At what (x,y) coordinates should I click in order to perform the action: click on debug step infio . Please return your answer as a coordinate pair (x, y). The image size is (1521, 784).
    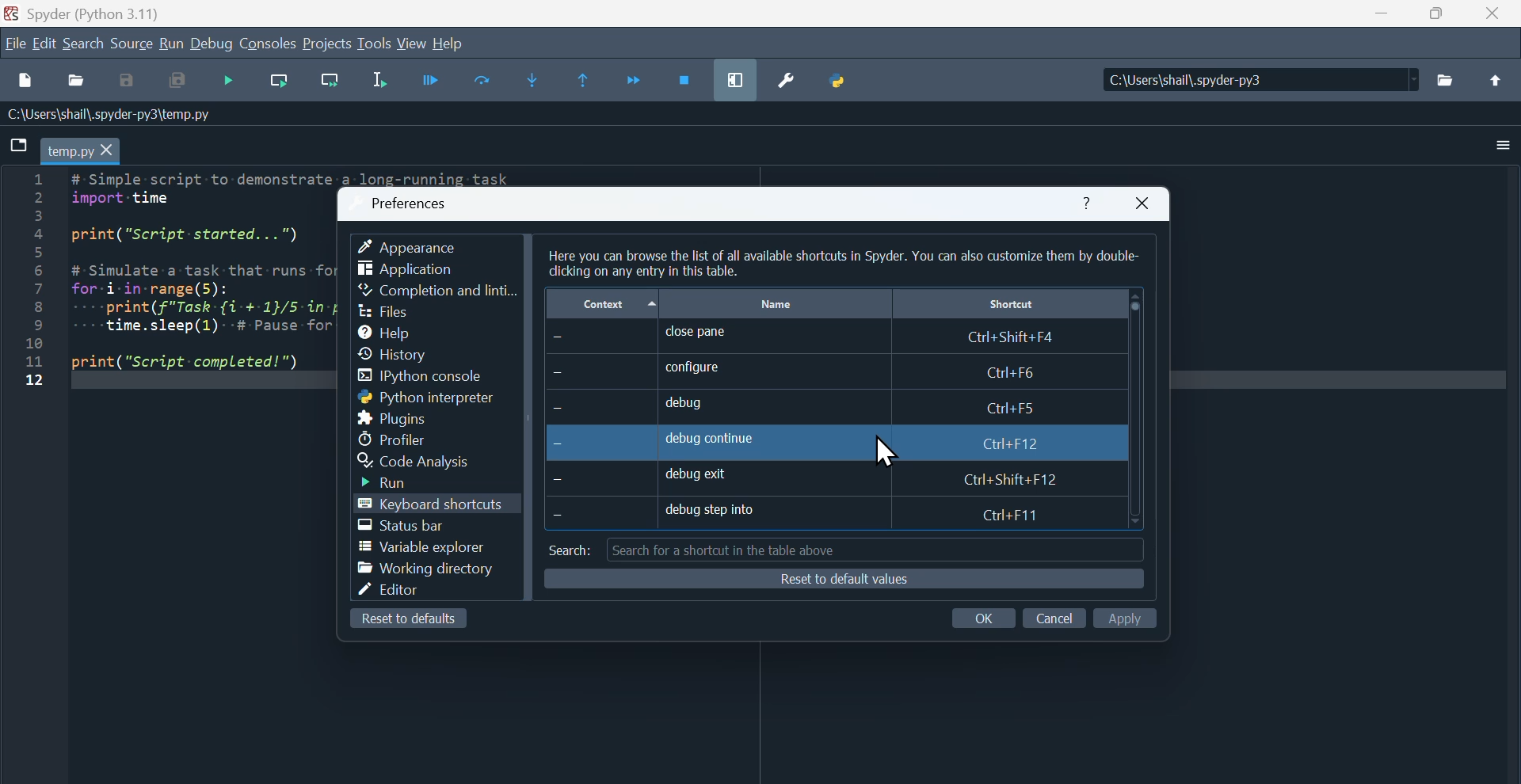
    Looking at the image, I should click on (815, 513).